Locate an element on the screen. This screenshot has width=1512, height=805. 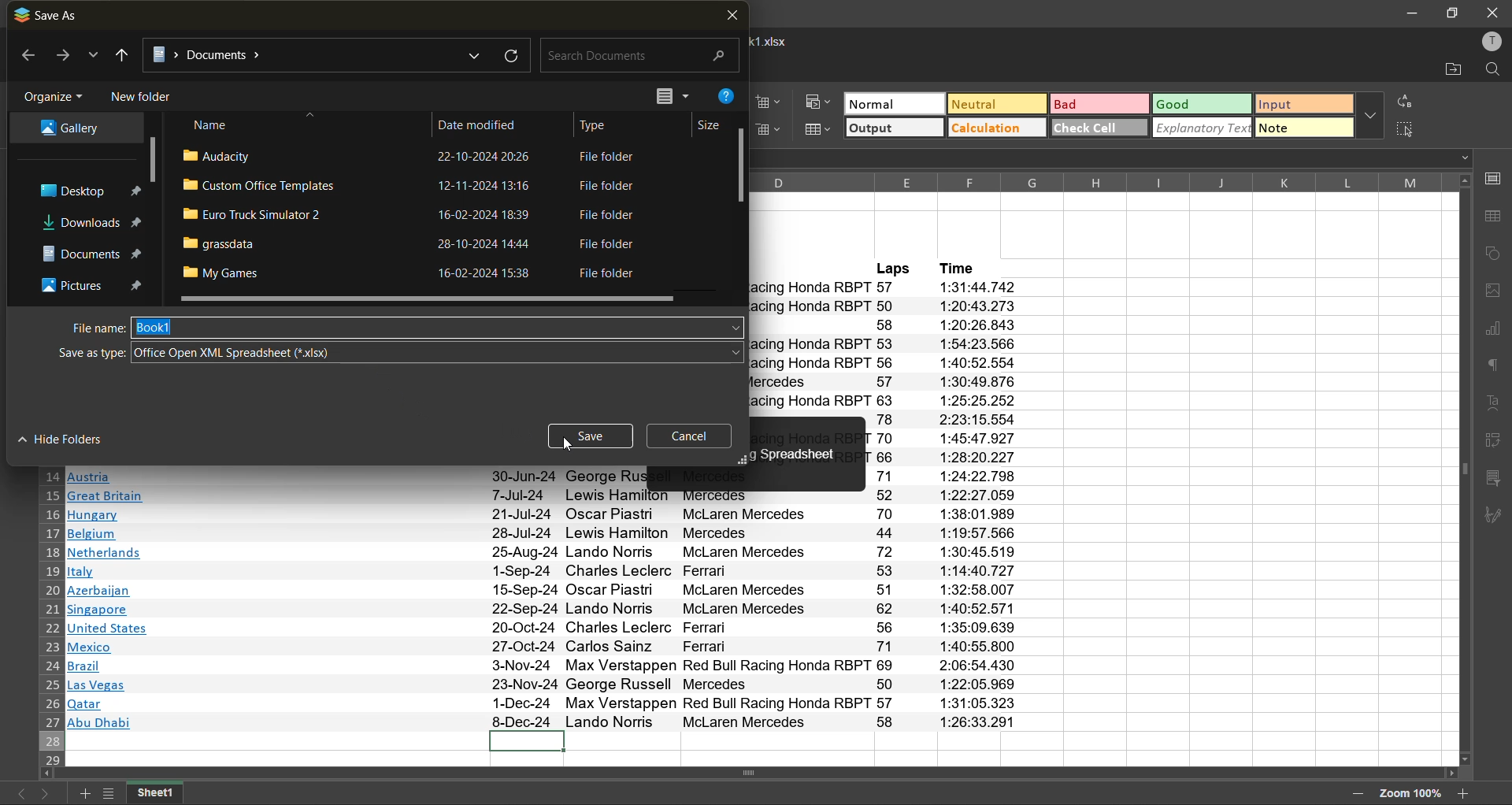
good is located at coordinates (1203, 104).